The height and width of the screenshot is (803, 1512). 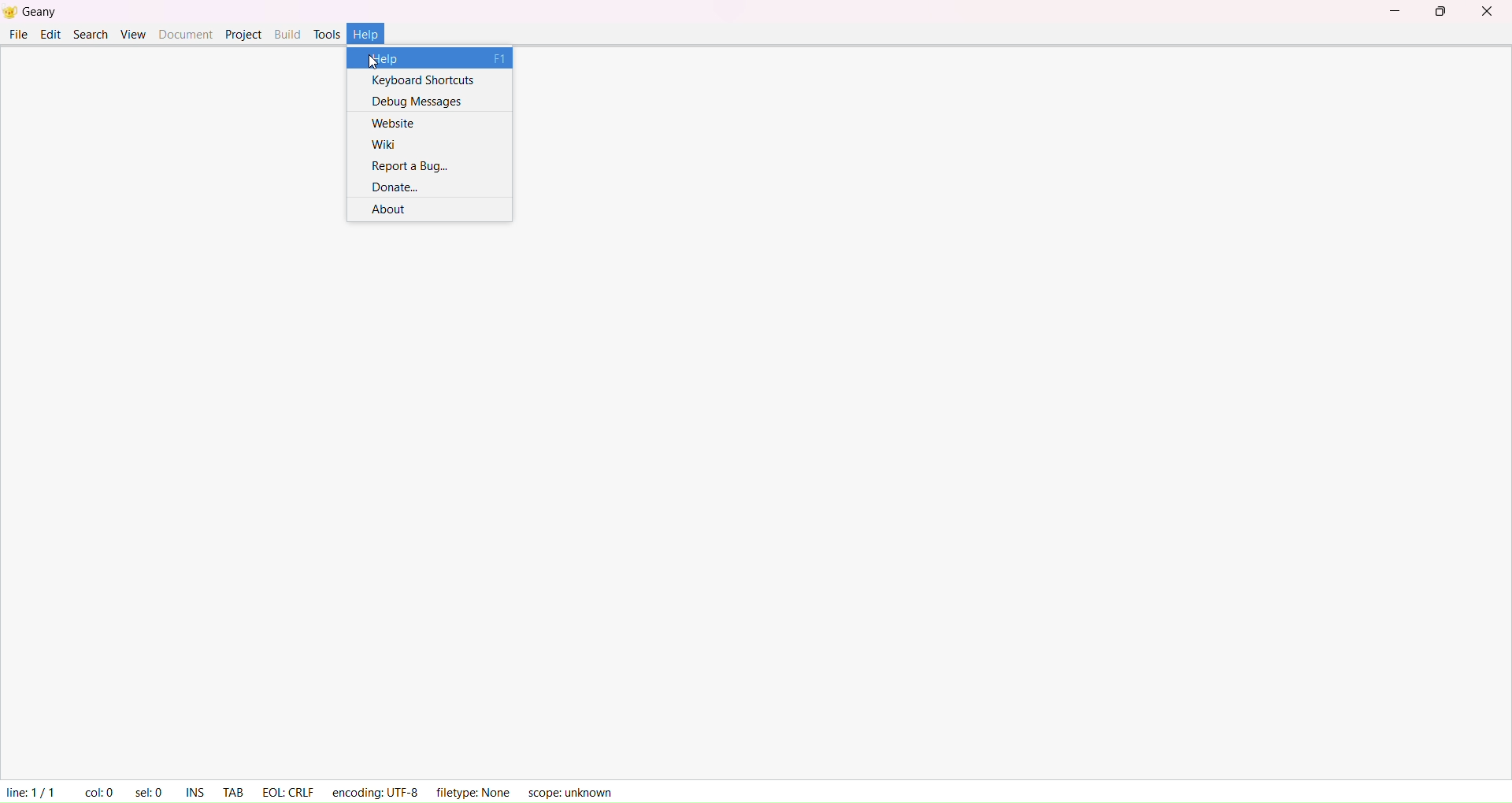 I want to click on scope, so click(x=575, y=790).